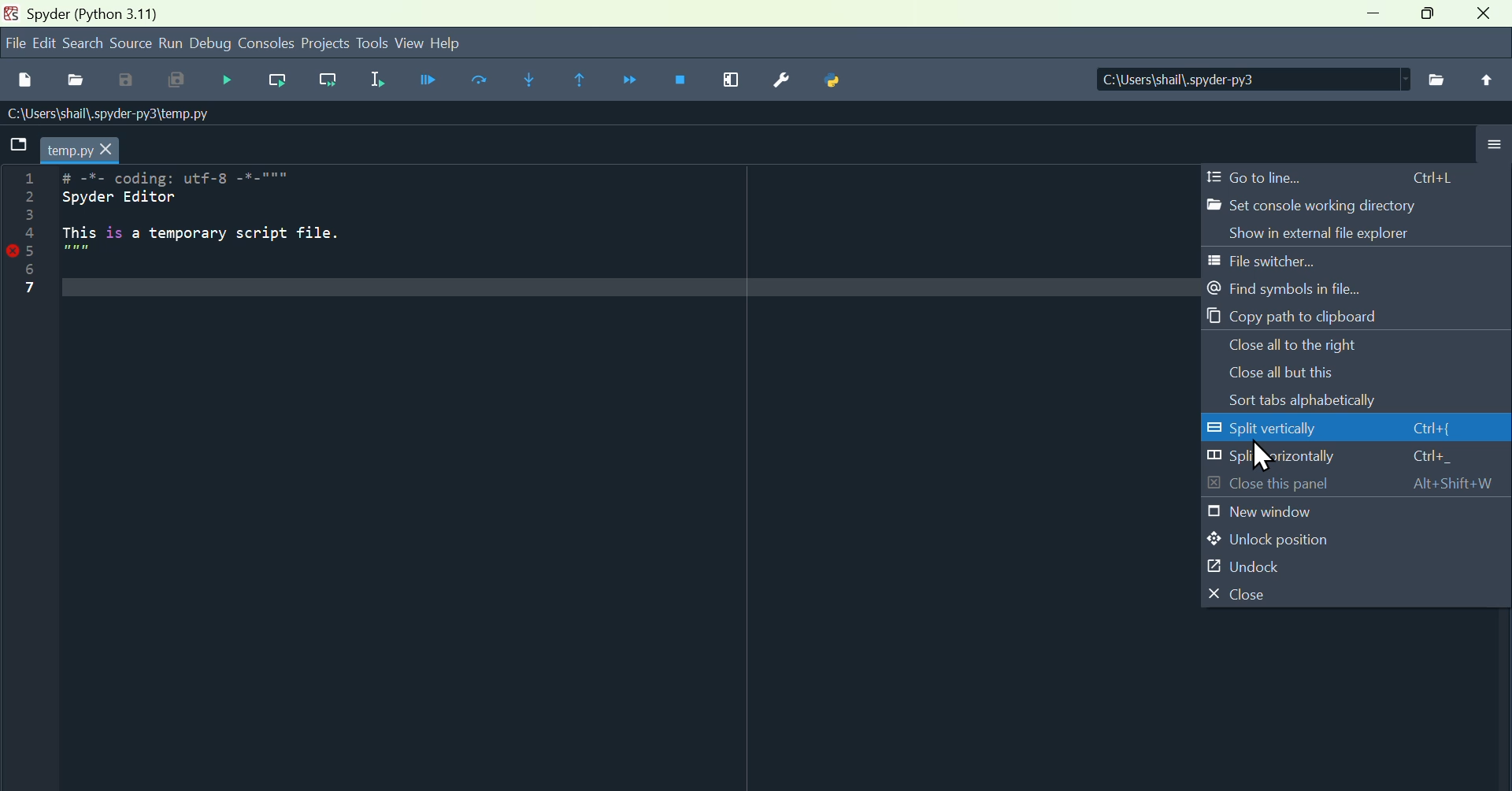  I want to click on Line numbers, so click(27, 235).